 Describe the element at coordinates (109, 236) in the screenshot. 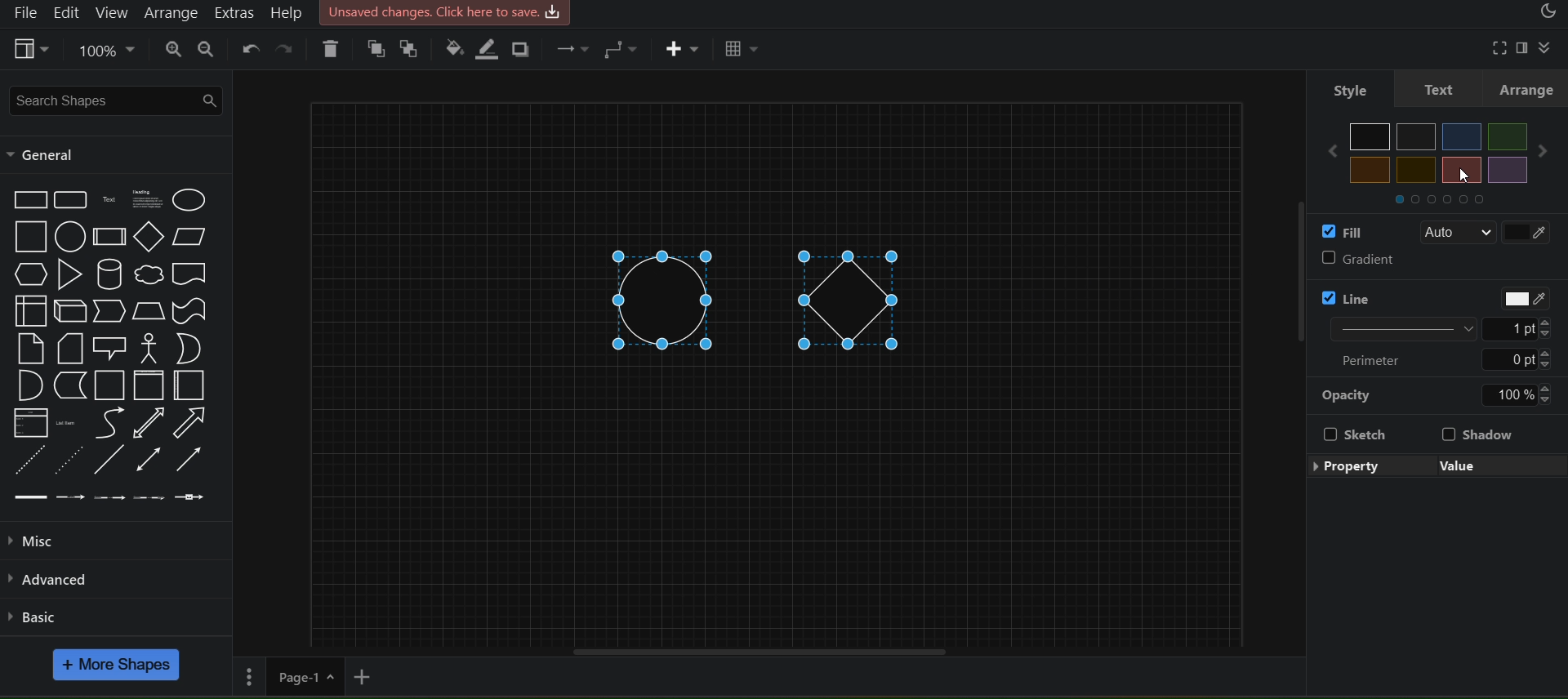

I see `Process` at that location.